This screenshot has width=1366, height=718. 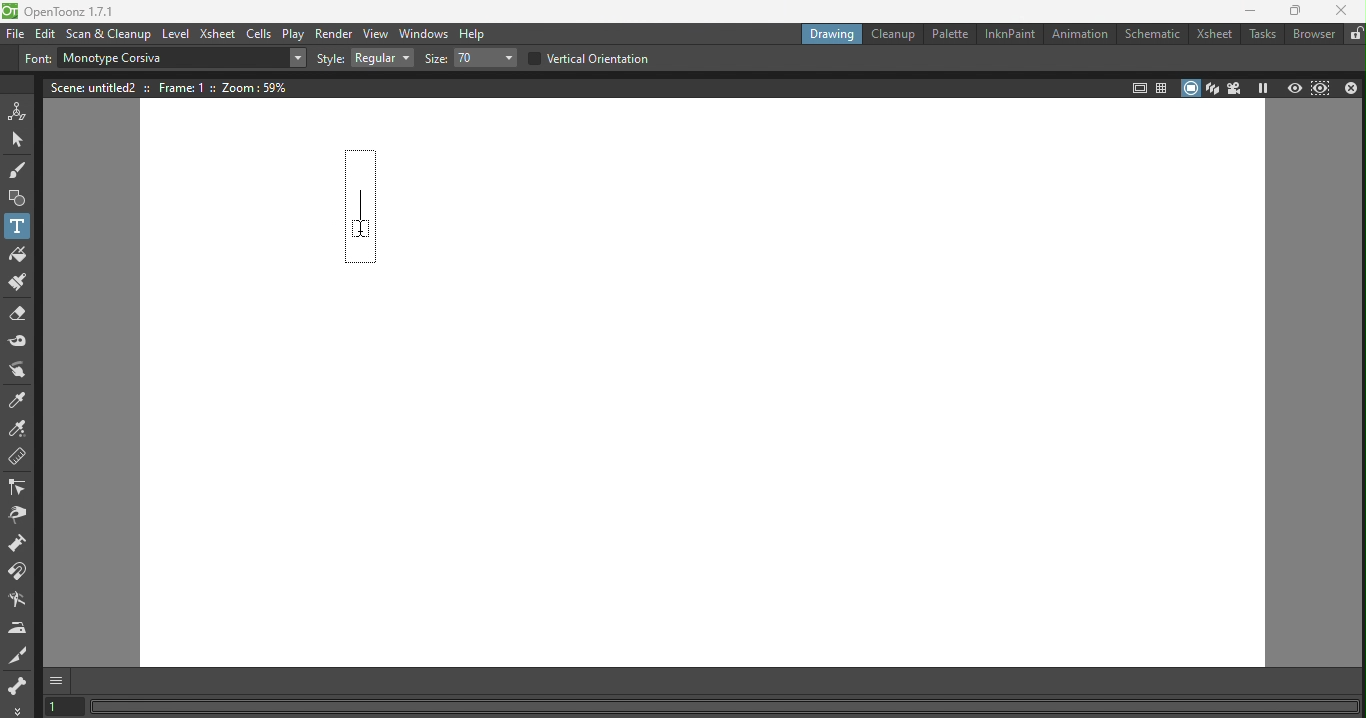 What do you see at coordinates (295, 57) in the screenshot?
I see `Drop down` at bounding box center [295, 57].